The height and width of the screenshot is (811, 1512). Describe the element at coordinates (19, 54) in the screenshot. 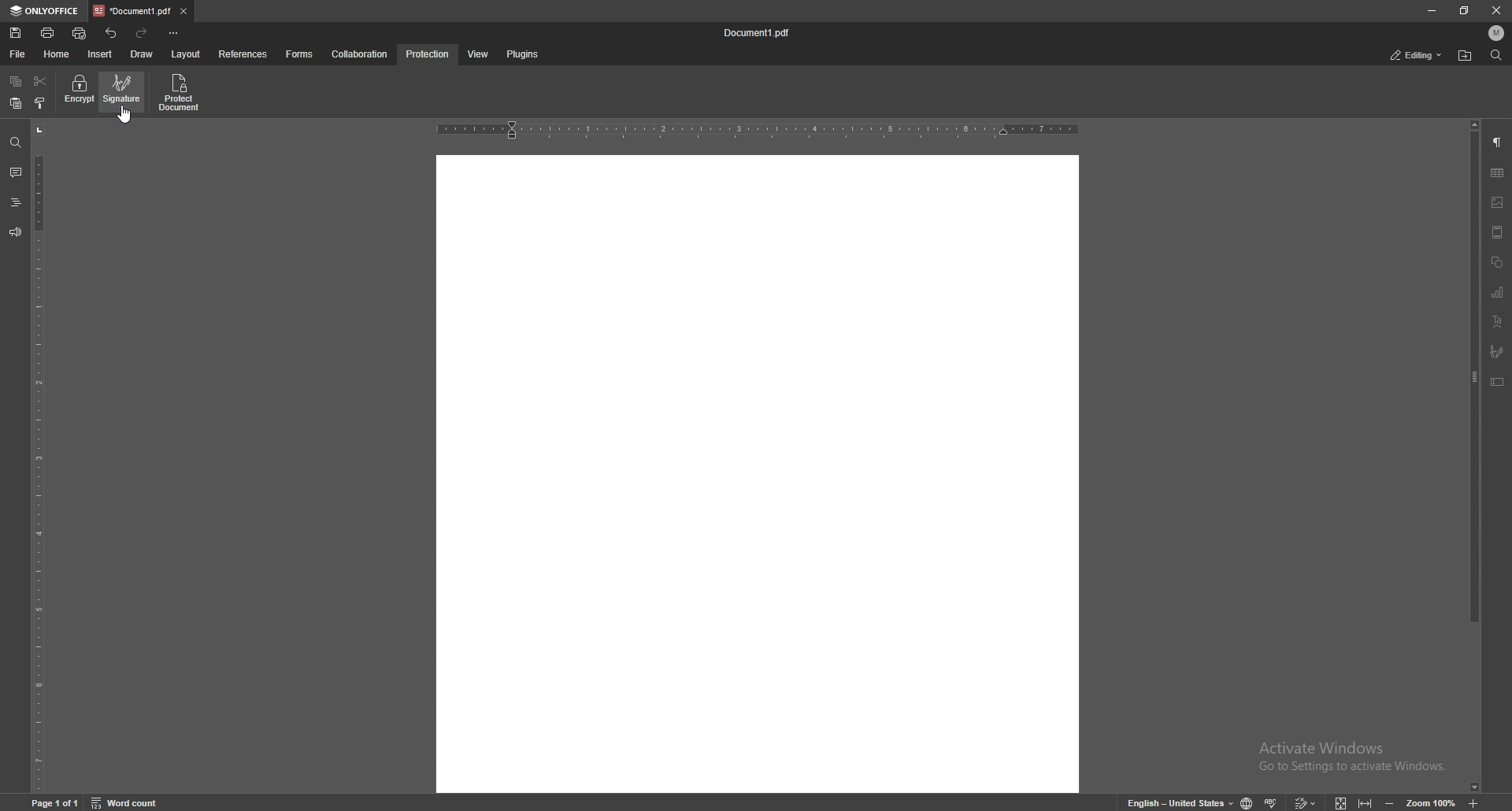

I see `file` at that location.